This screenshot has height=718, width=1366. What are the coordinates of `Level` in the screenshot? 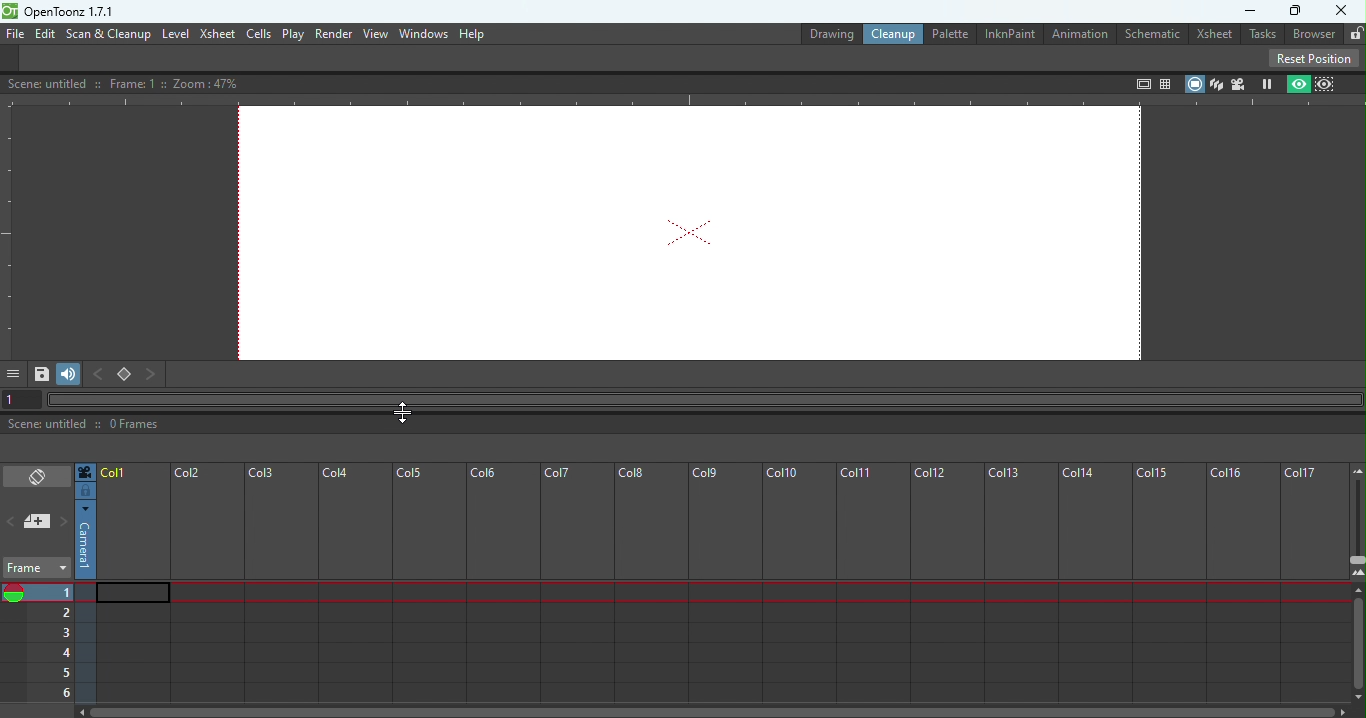 It's located at (176, 33).